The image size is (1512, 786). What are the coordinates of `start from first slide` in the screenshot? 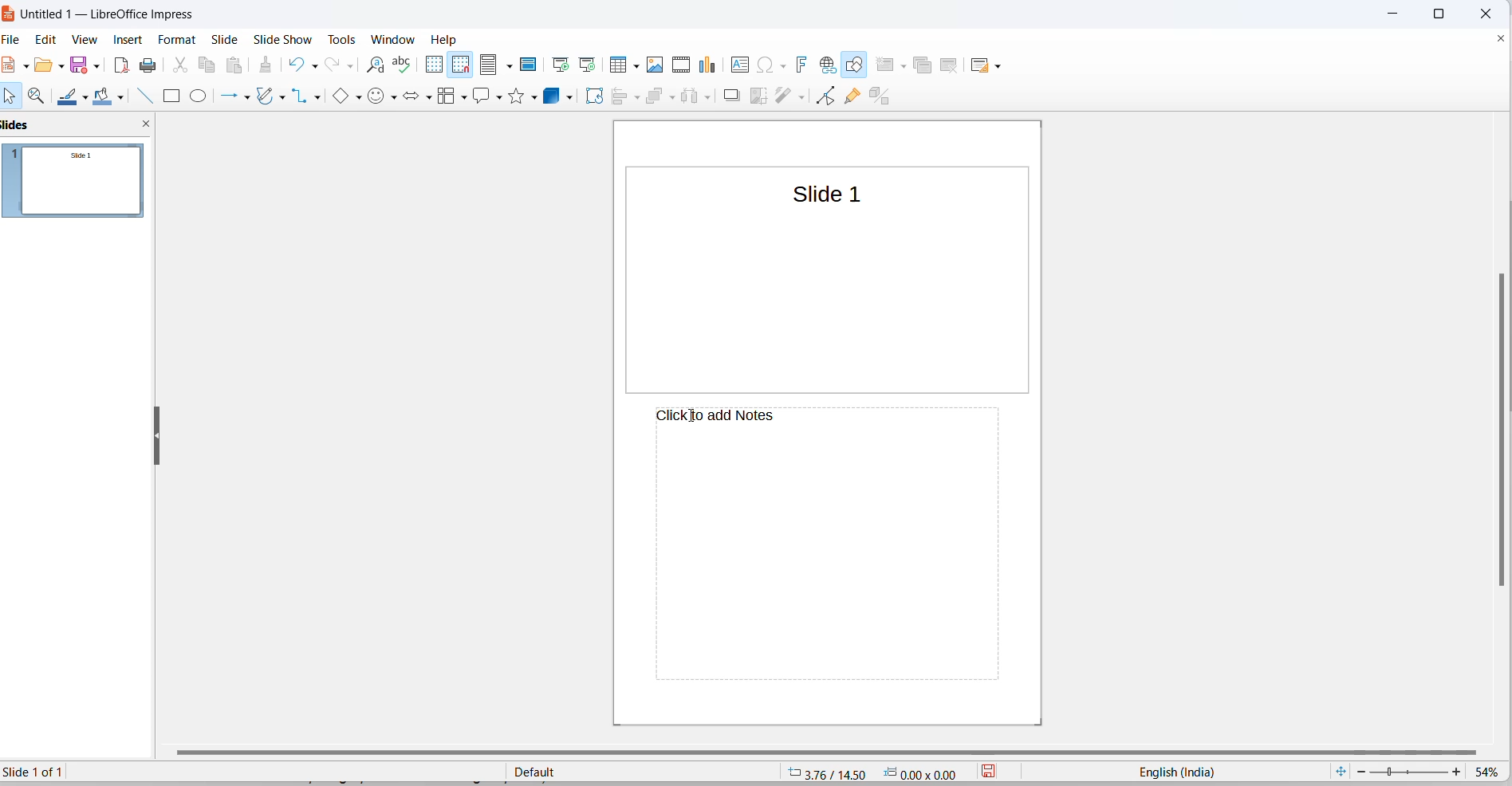 It's located at (561, 64).